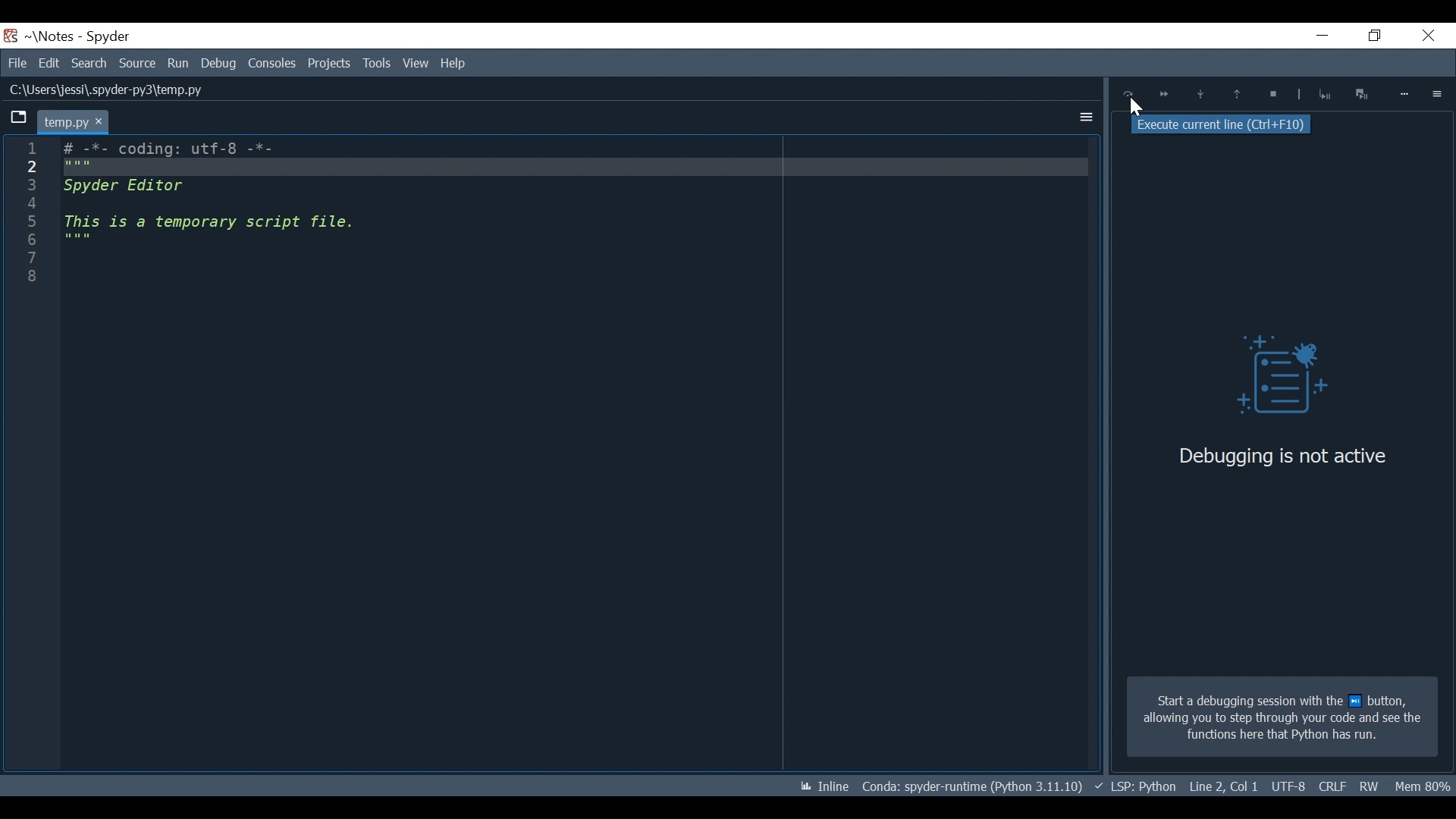  What do you see at coordinates (1134, 786) in the screenshot?
I see `Language` at bounding box center [1134, 786].